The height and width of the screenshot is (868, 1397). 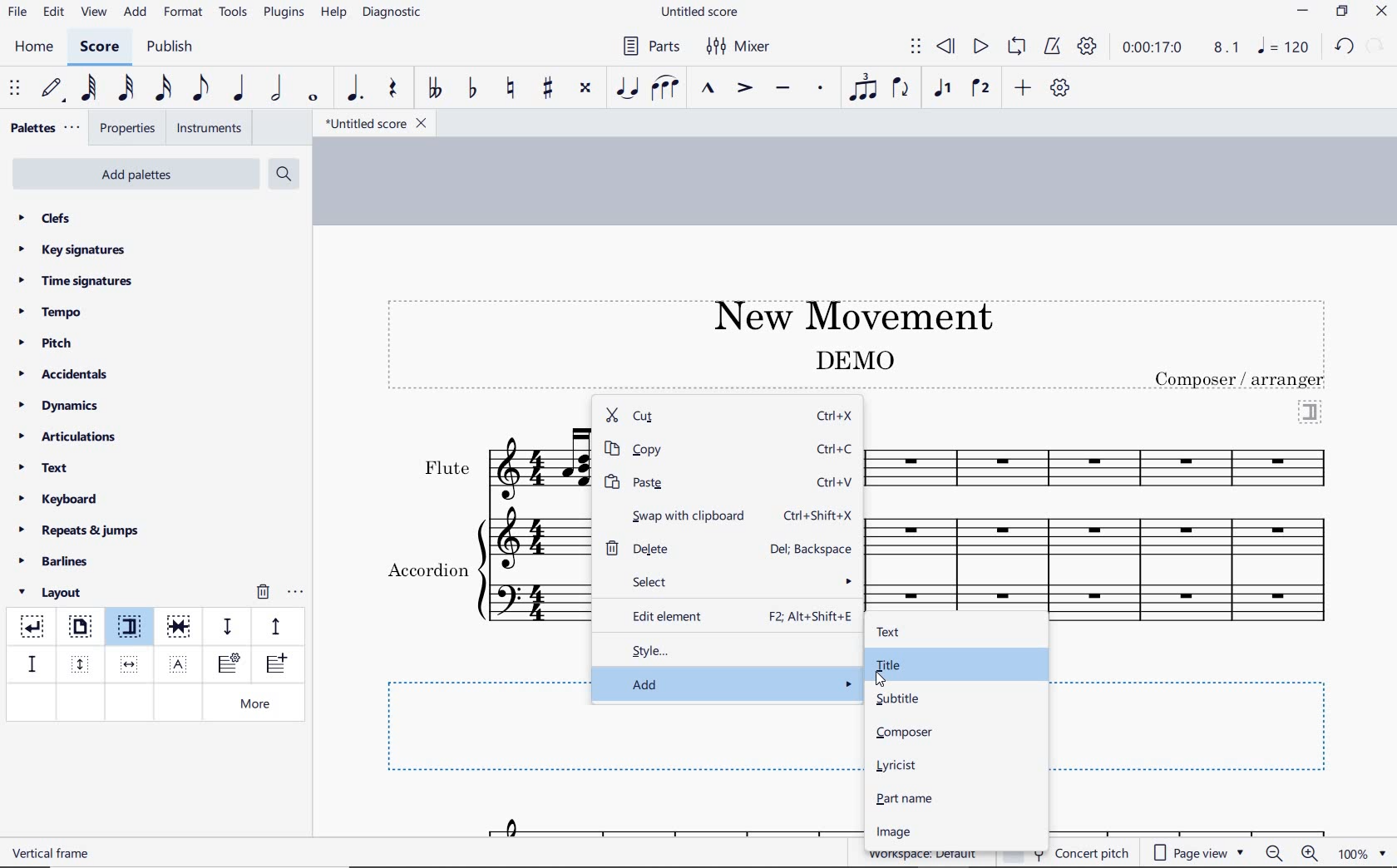 What do you see at coordinates (138, 177) in the screenshot?
I see `add palettes` at bounding box center [138, 177].